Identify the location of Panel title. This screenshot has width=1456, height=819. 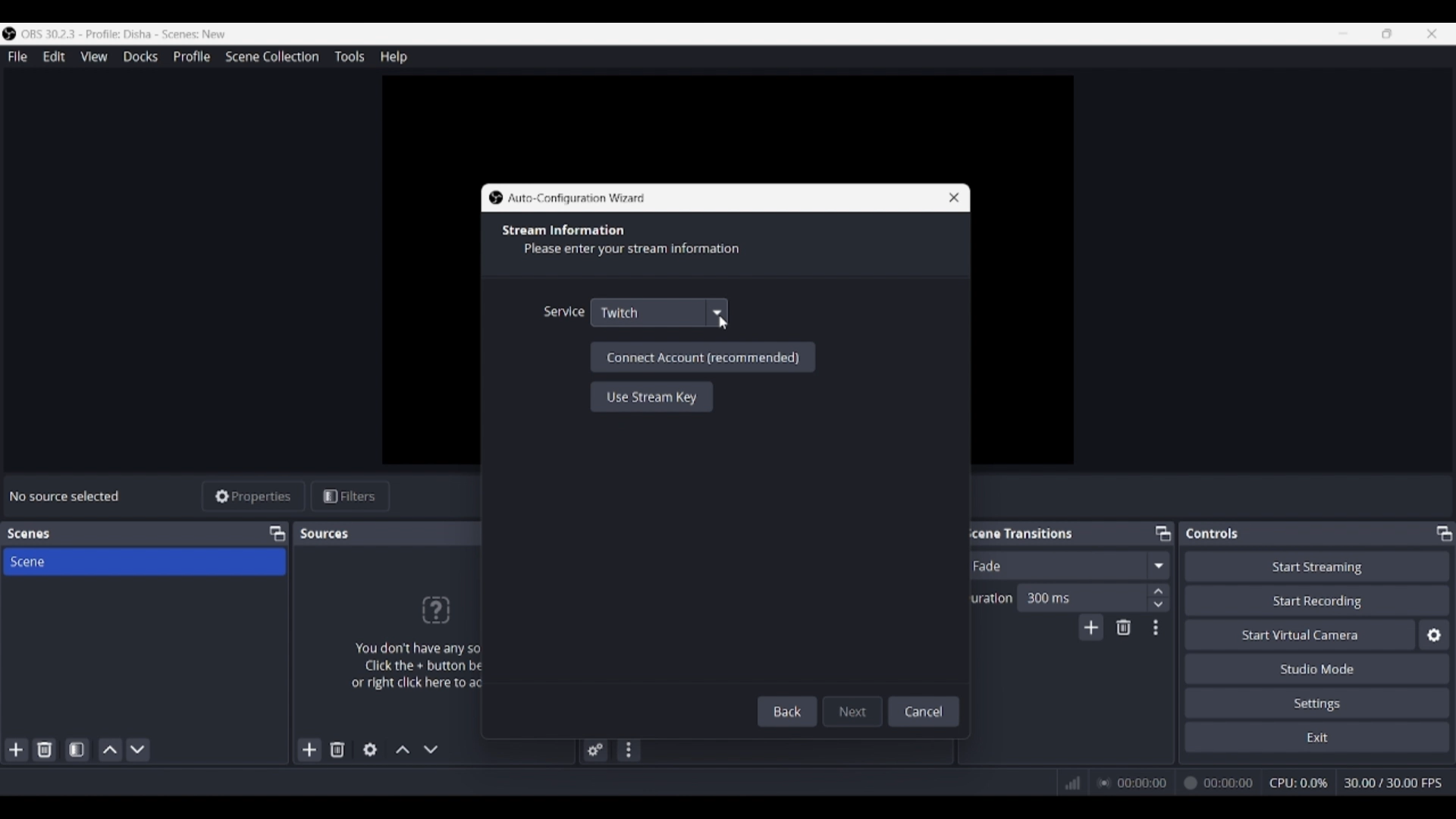
(29, 534).